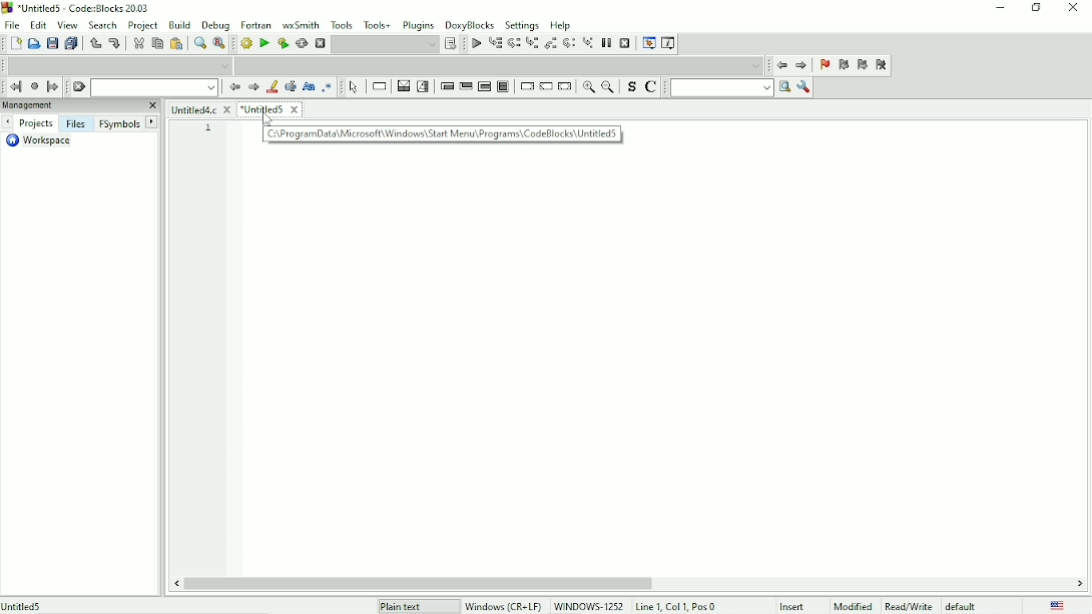 The width and height of the screenshot is (1092, 614). I want to click on Counting loop, so click(484, 86).